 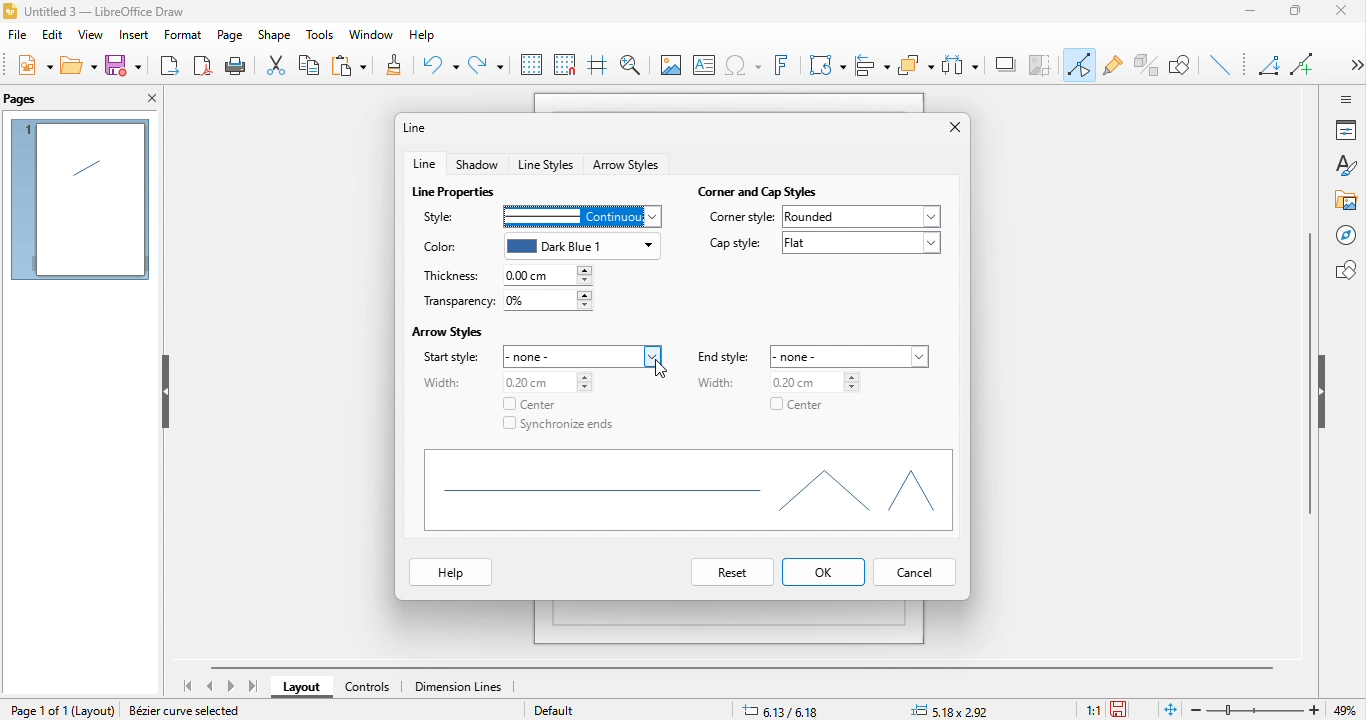 I want to click on line, so click(x=422, y=127).